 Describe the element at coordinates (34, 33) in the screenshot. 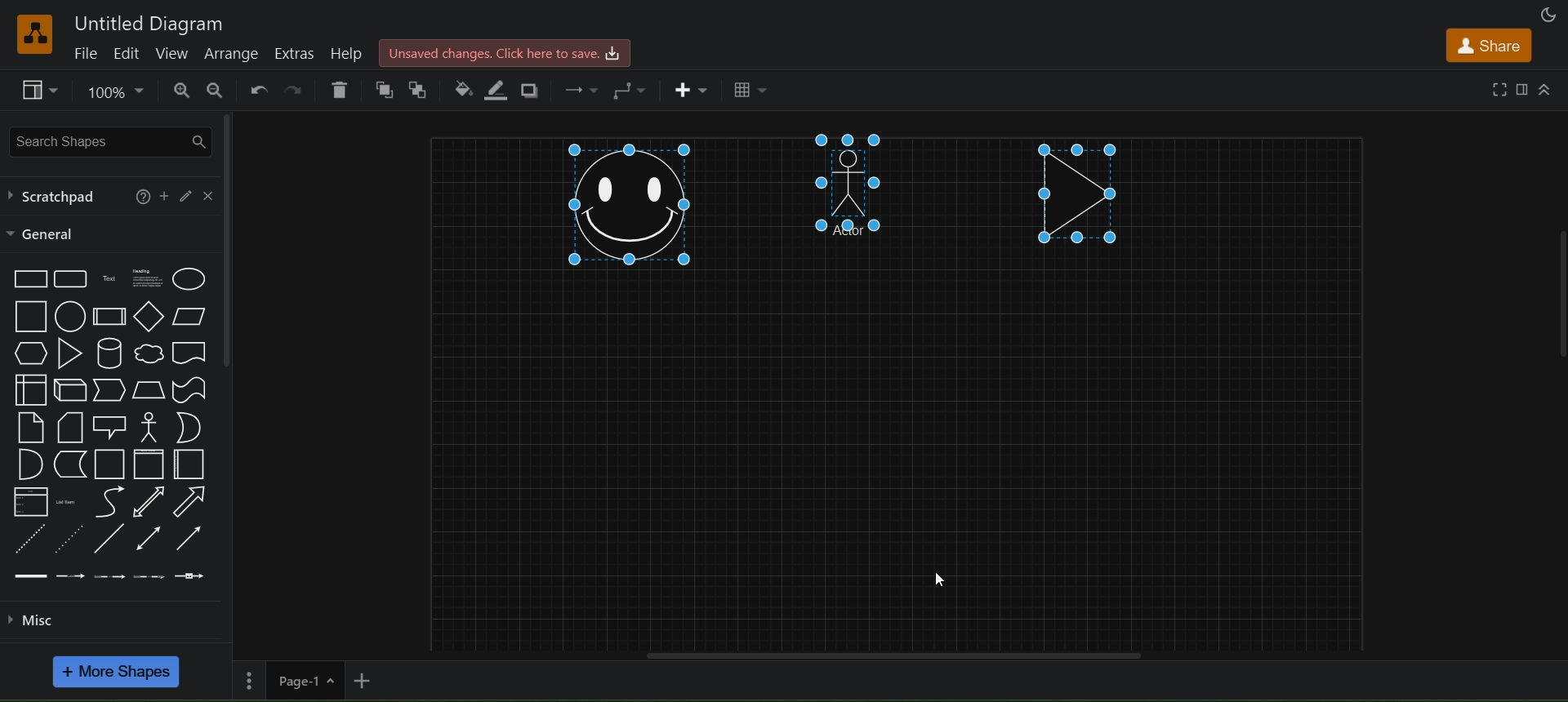

I see `logo` at that location.